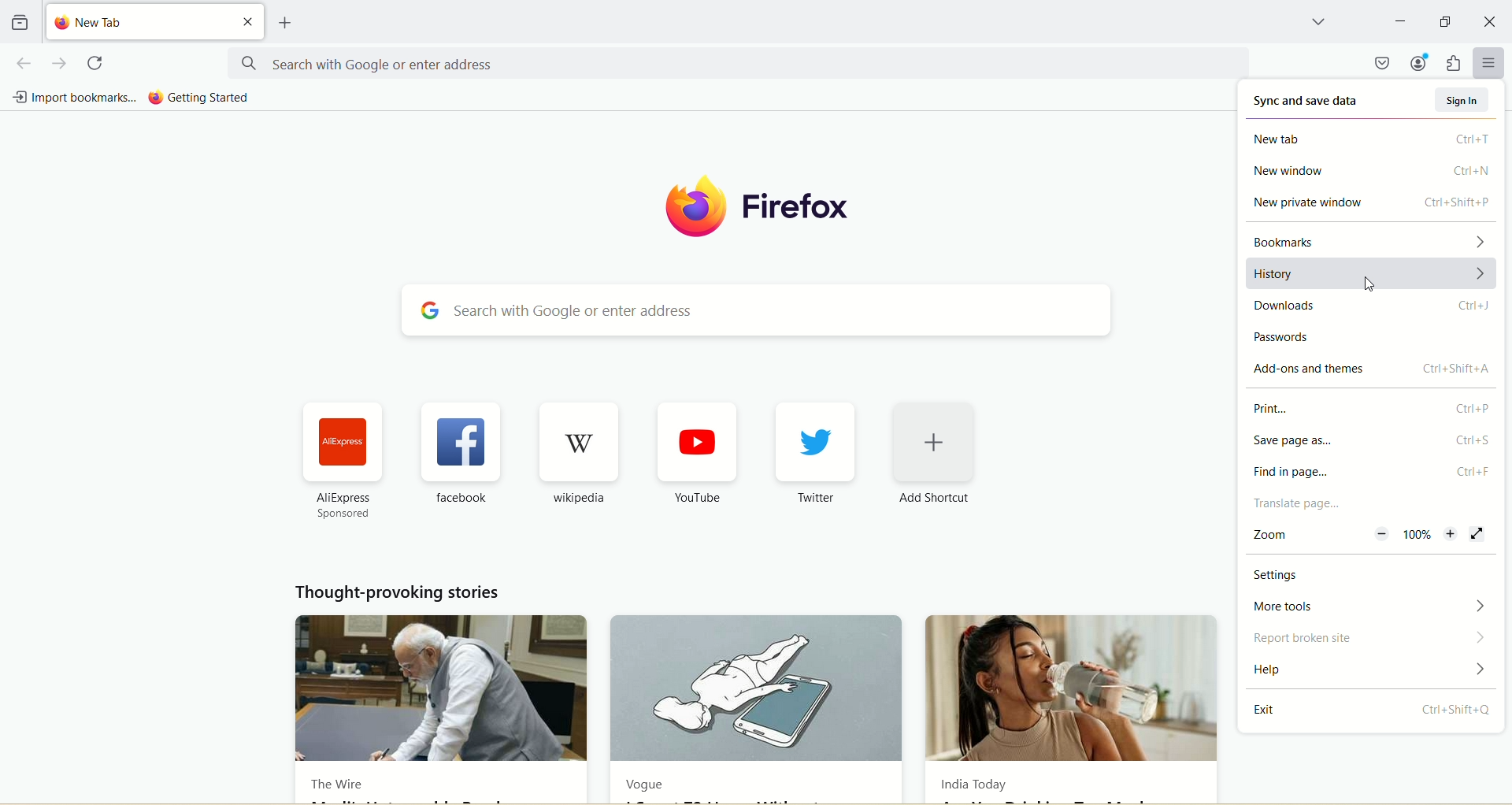 The height and width of the screenshot is (805, 1512). Describe the element at coordinates (98, 63) in the screenshot. I see `reload current page` at that location.